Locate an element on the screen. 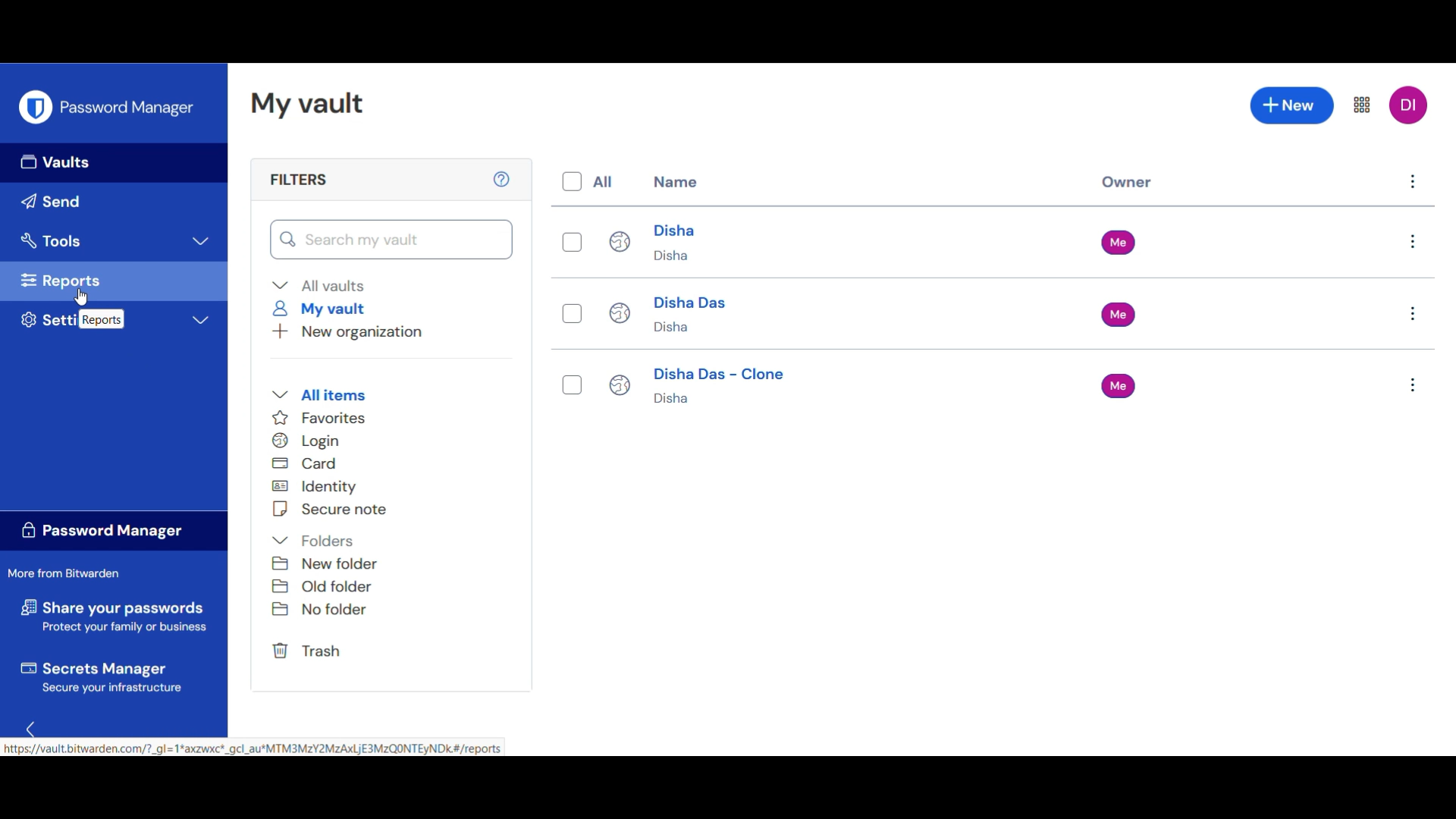 The height and width of the screenshot is (819, 1456). all entry menu is located at coordinates (1413, 184).